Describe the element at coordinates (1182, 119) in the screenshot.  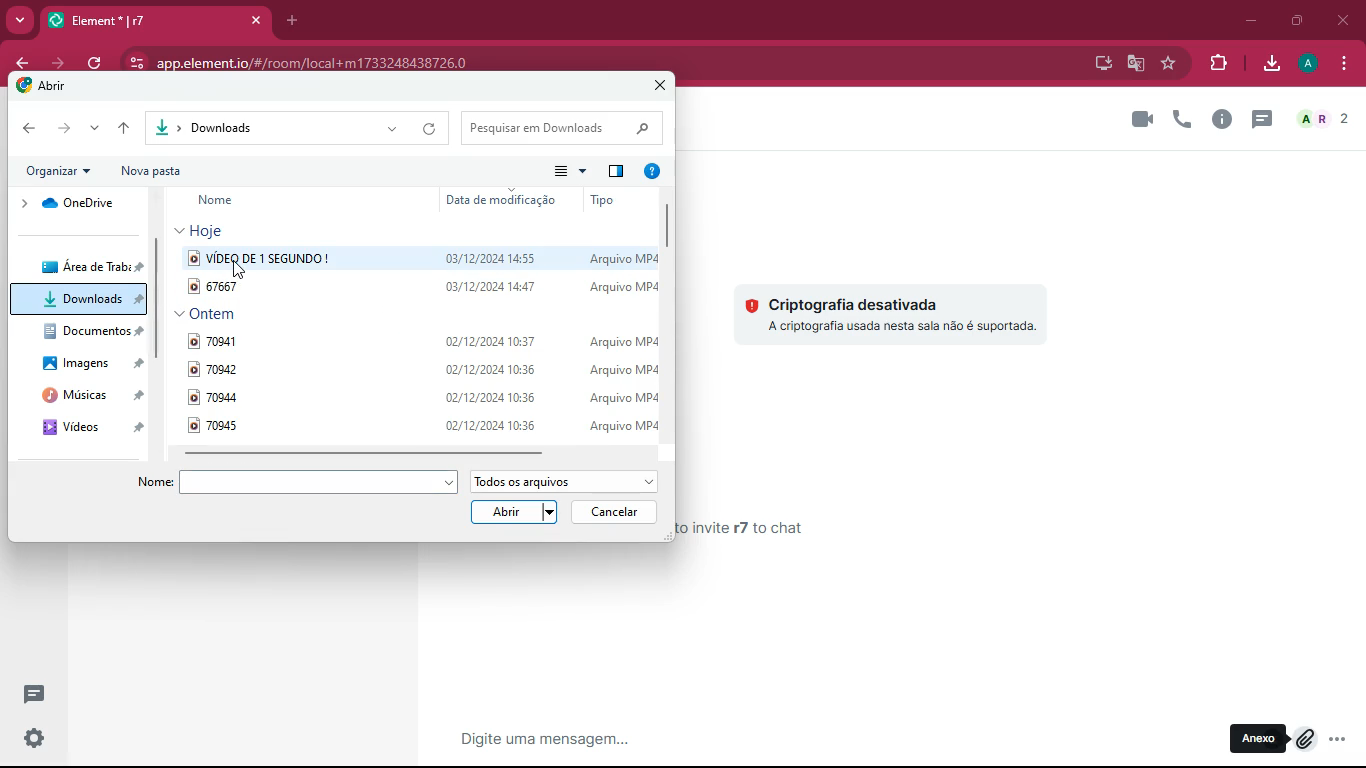
I see `call` at that location.